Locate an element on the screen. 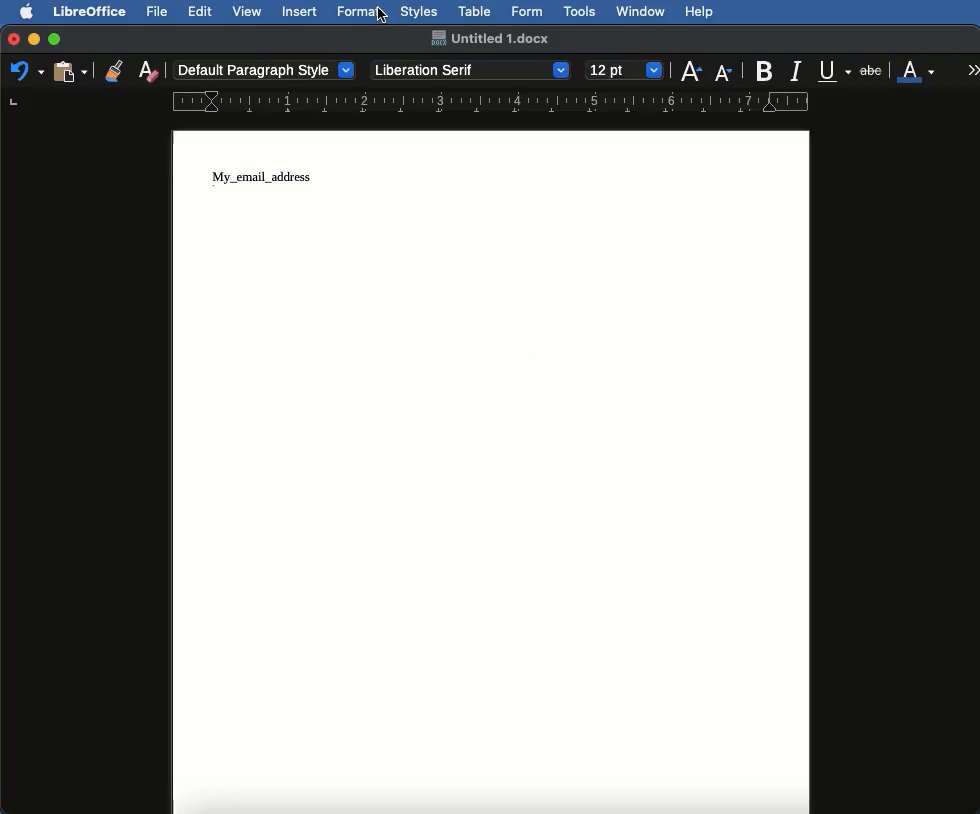 This screenshot has width=980, height=814. Font style is located at coordinates (472, 70).